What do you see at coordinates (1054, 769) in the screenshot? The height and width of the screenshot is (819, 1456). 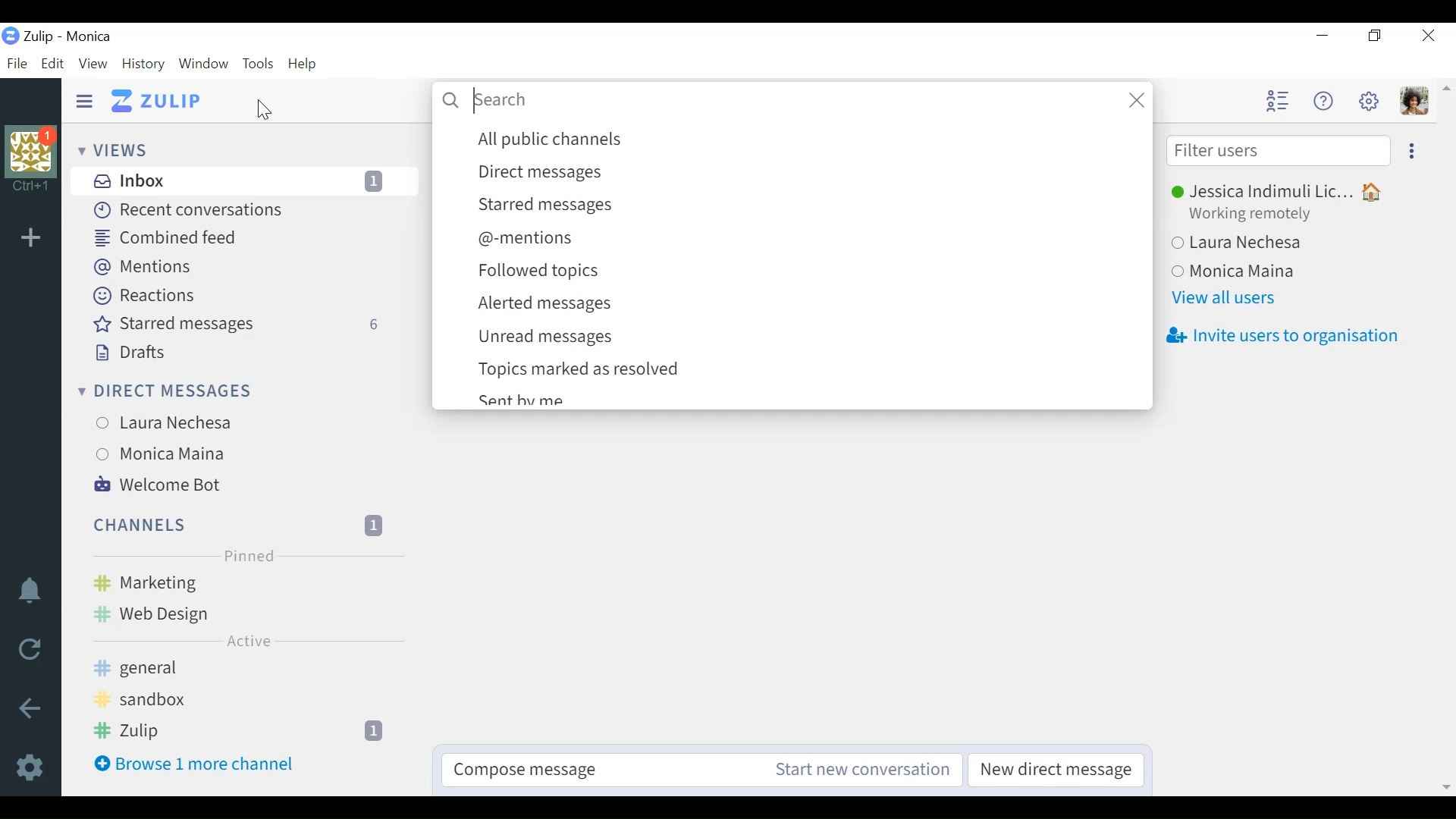 I see `New direct message` at bounding box center [1054, 769].